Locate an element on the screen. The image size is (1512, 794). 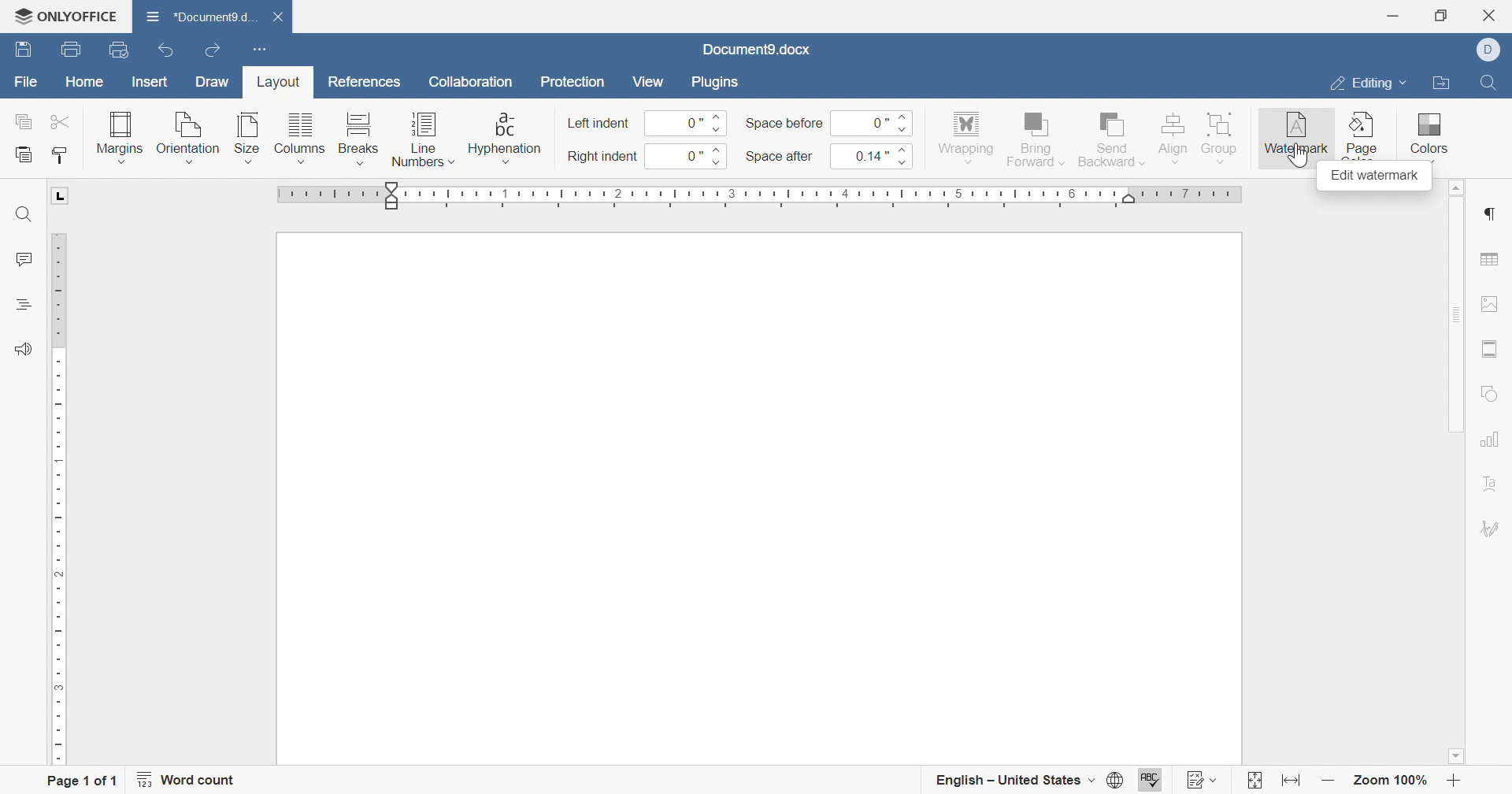
align is located at coordinates (1172, 136).